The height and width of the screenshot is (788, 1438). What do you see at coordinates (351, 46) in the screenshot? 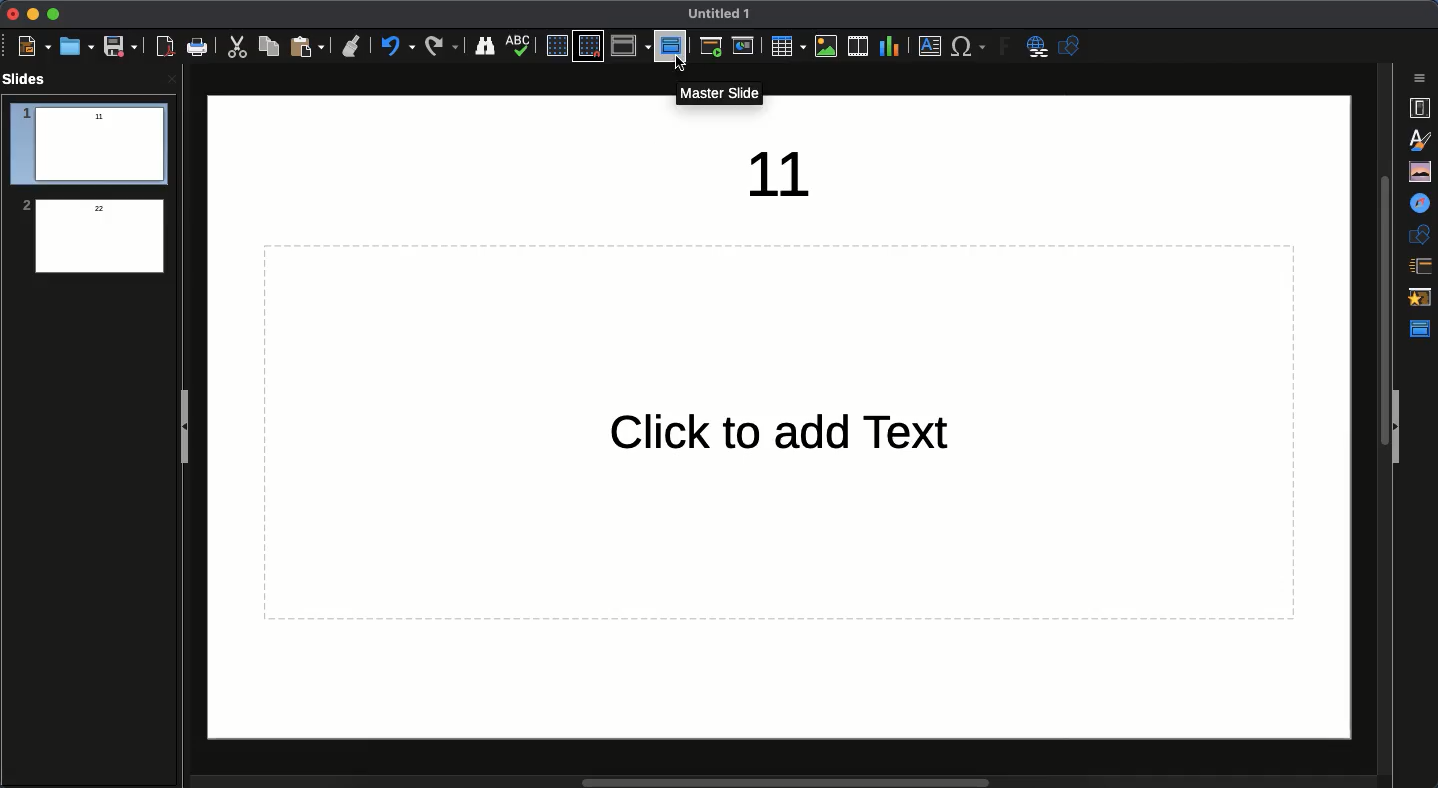
I see `Clean formatting` at bounding box center [351, 46].